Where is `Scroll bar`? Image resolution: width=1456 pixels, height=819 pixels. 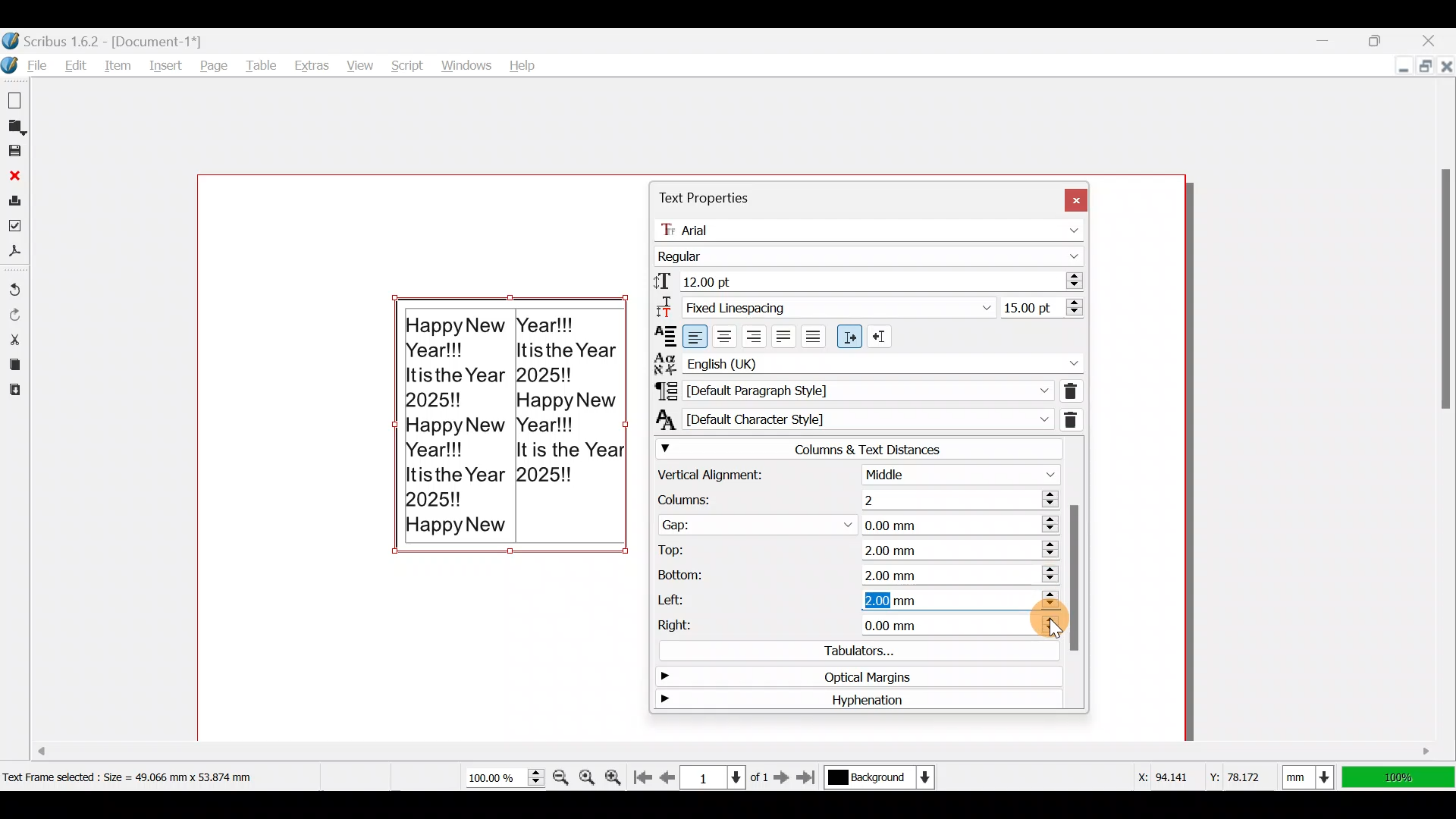 Scroll bar is located at coordinates (1441, 418).